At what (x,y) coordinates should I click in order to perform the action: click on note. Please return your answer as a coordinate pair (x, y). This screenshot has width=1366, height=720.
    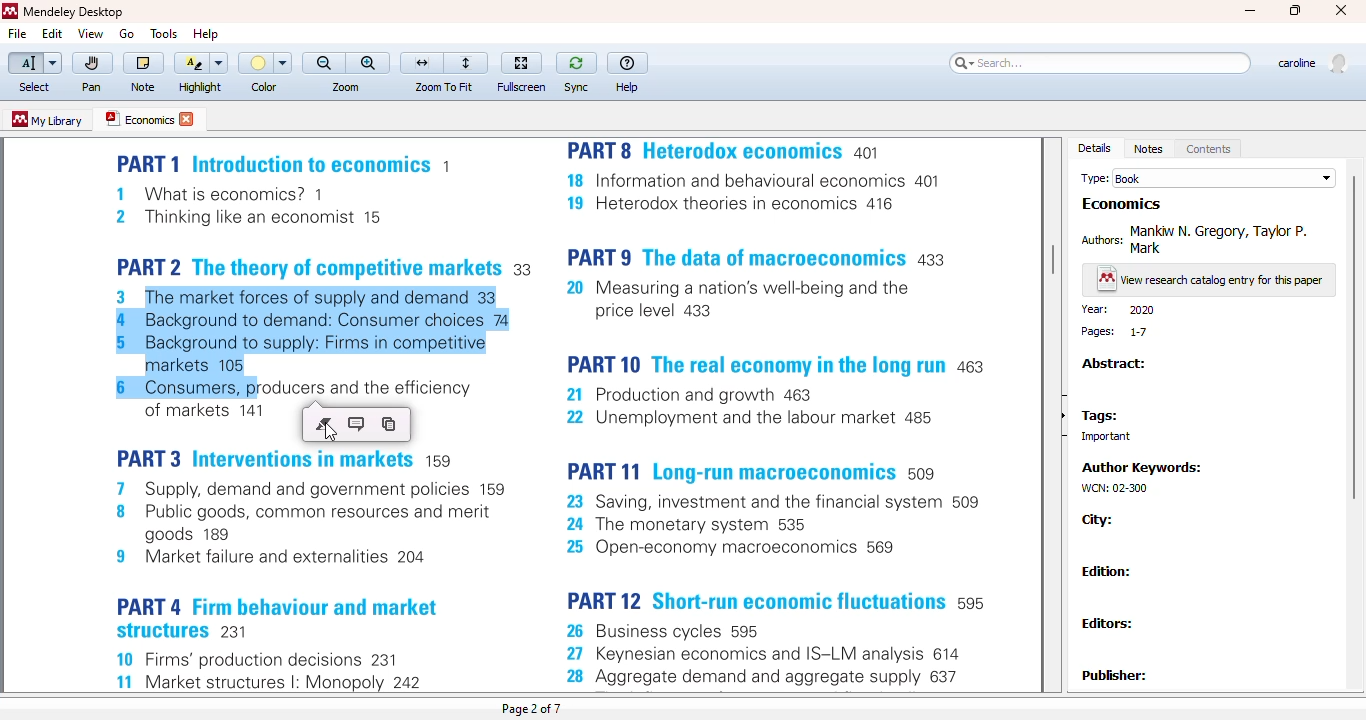
    Looking at the image, I should click on (143, 87).